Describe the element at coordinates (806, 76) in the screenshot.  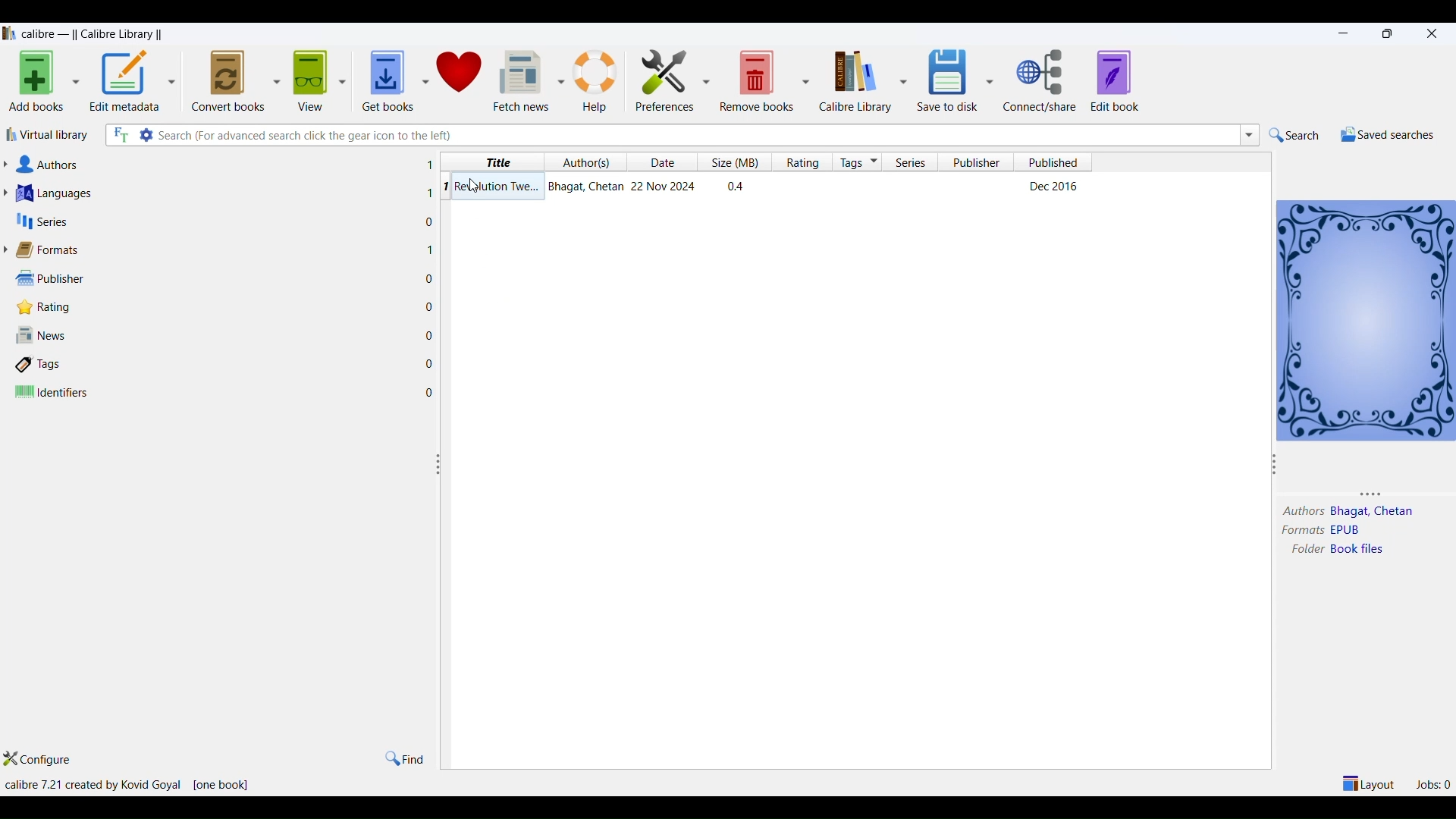
I see `remove books options dropdown button` at that location.